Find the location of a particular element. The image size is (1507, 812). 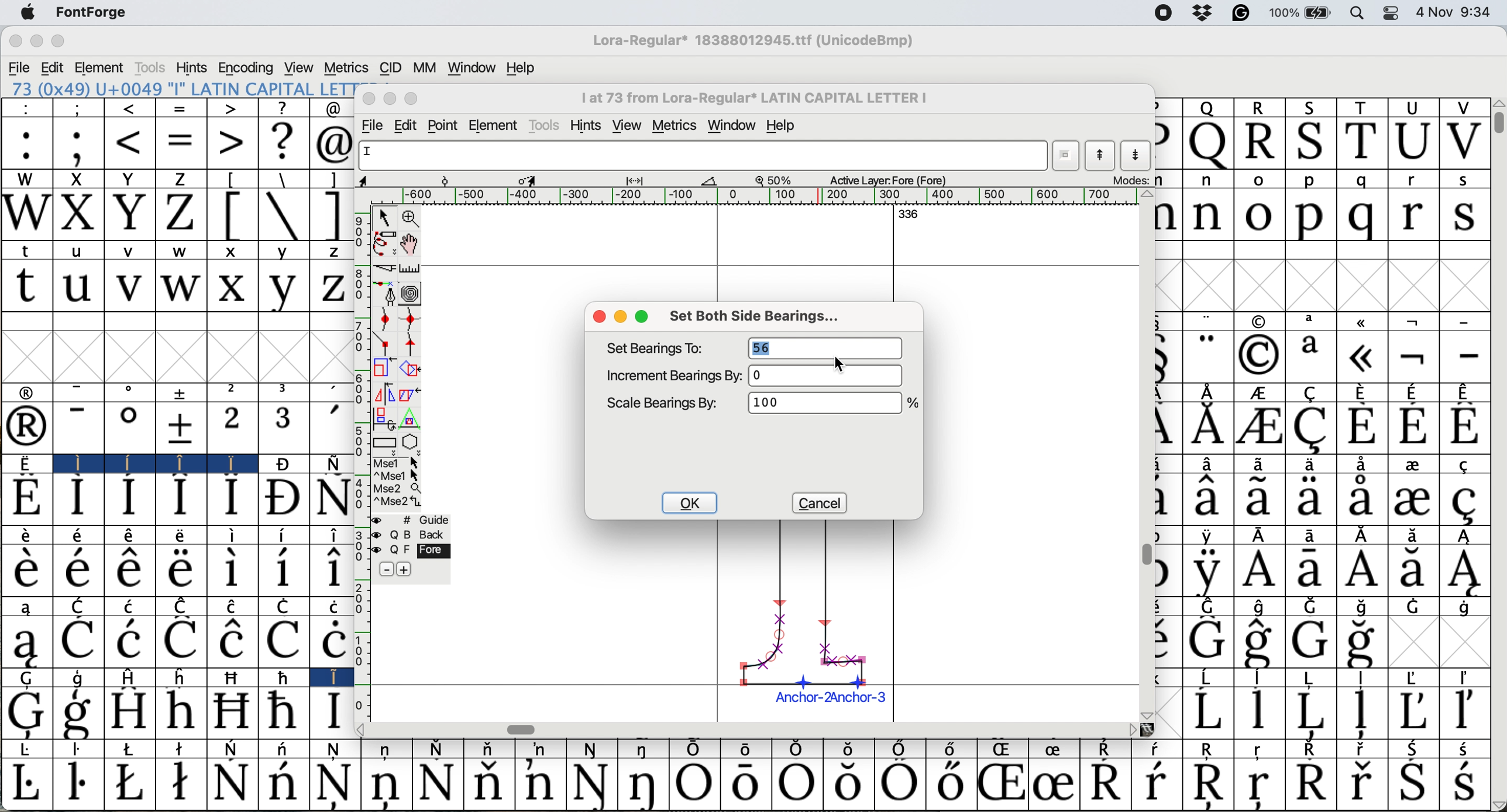

Symbol is located at coordinates (181, 641).